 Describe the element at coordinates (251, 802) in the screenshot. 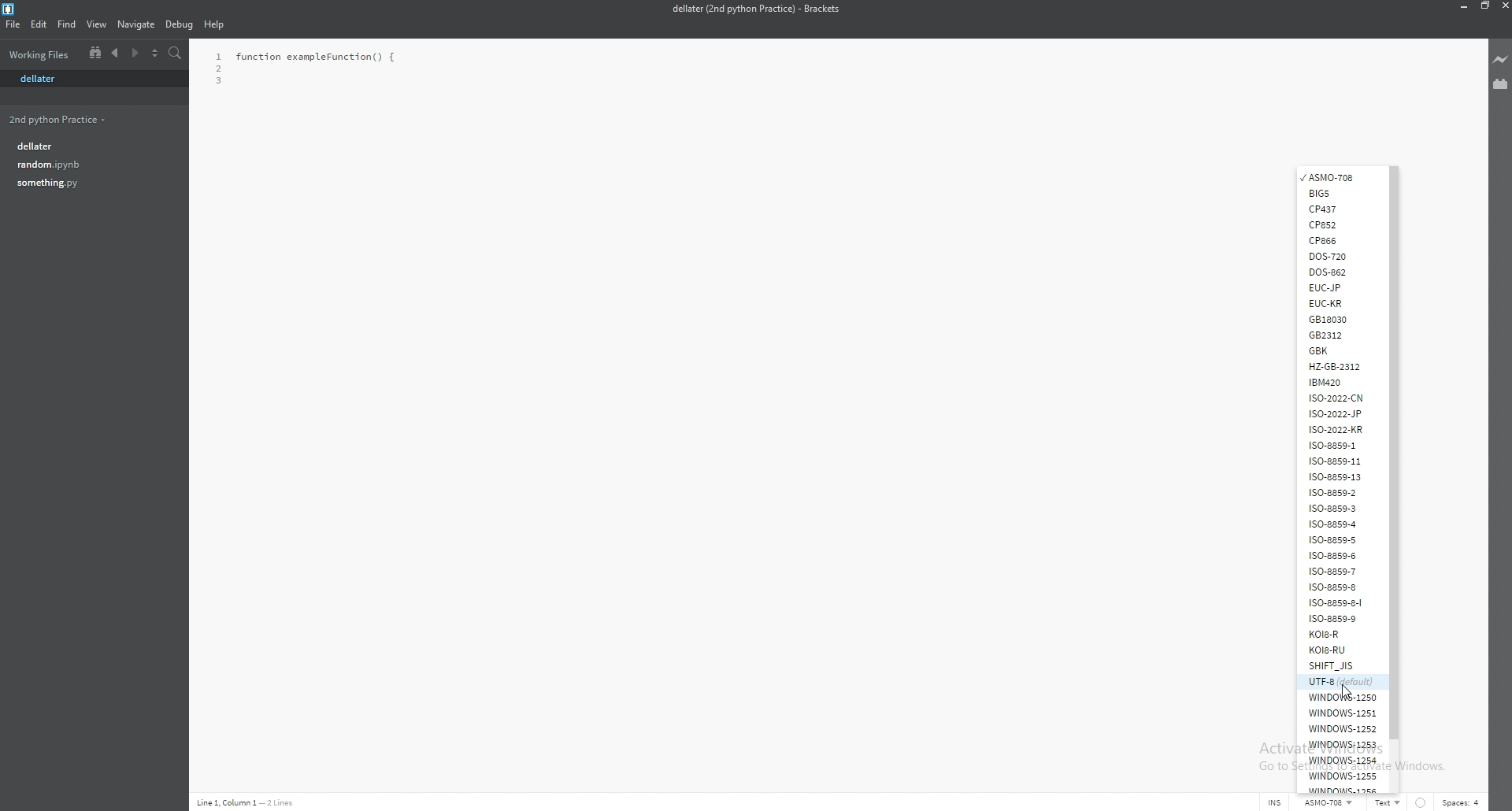

I see `line 1, column 1 - 2 lines` at that location.